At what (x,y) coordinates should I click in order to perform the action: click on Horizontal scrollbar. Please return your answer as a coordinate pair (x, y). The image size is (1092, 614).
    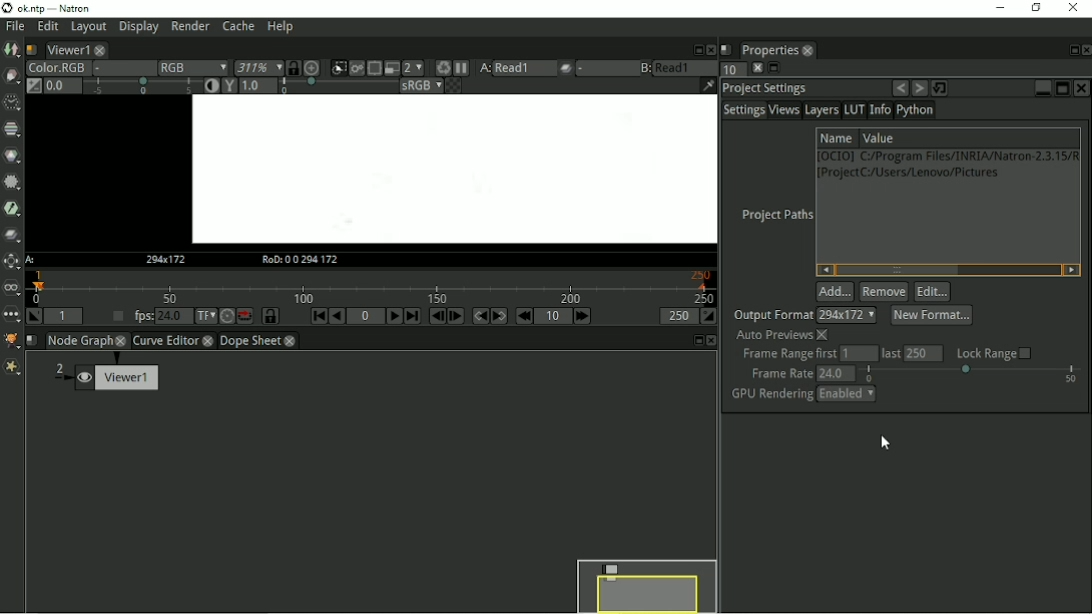
    Looking at the image, I should click on (949, 270).